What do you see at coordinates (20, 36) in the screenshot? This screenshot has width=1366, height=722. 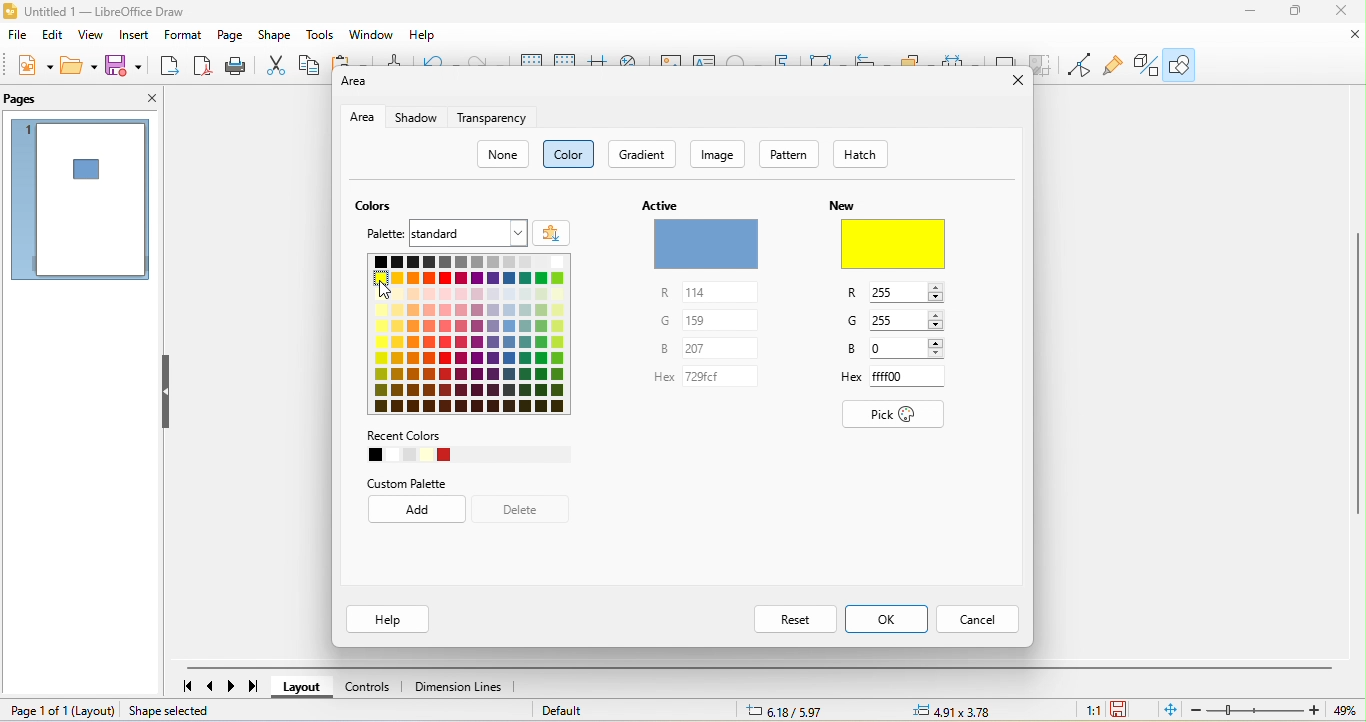 I see `file` at bounding box center [20, 36].